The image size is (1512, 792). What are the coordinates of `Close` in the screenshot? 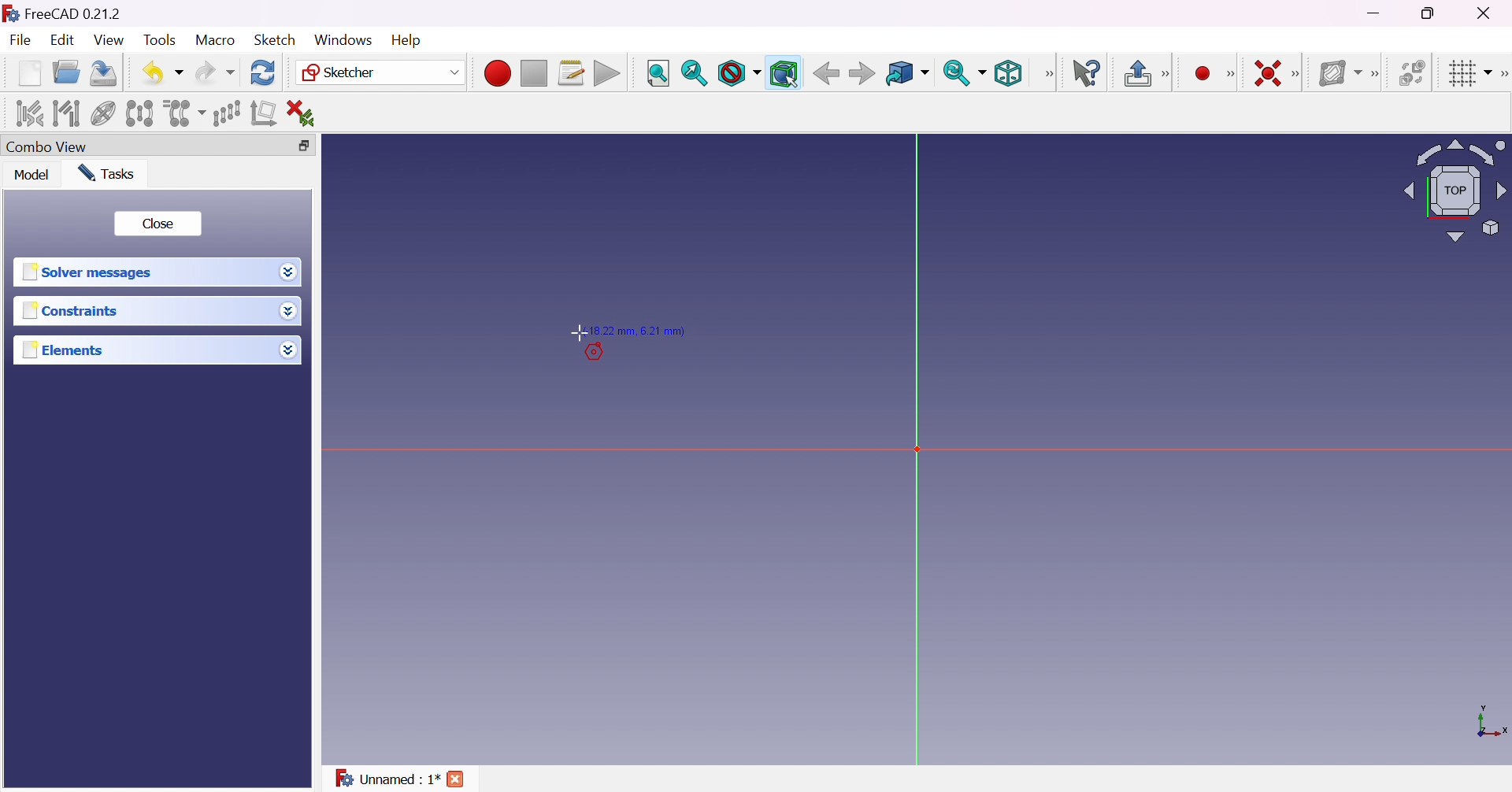 It's located at (1488, 12).